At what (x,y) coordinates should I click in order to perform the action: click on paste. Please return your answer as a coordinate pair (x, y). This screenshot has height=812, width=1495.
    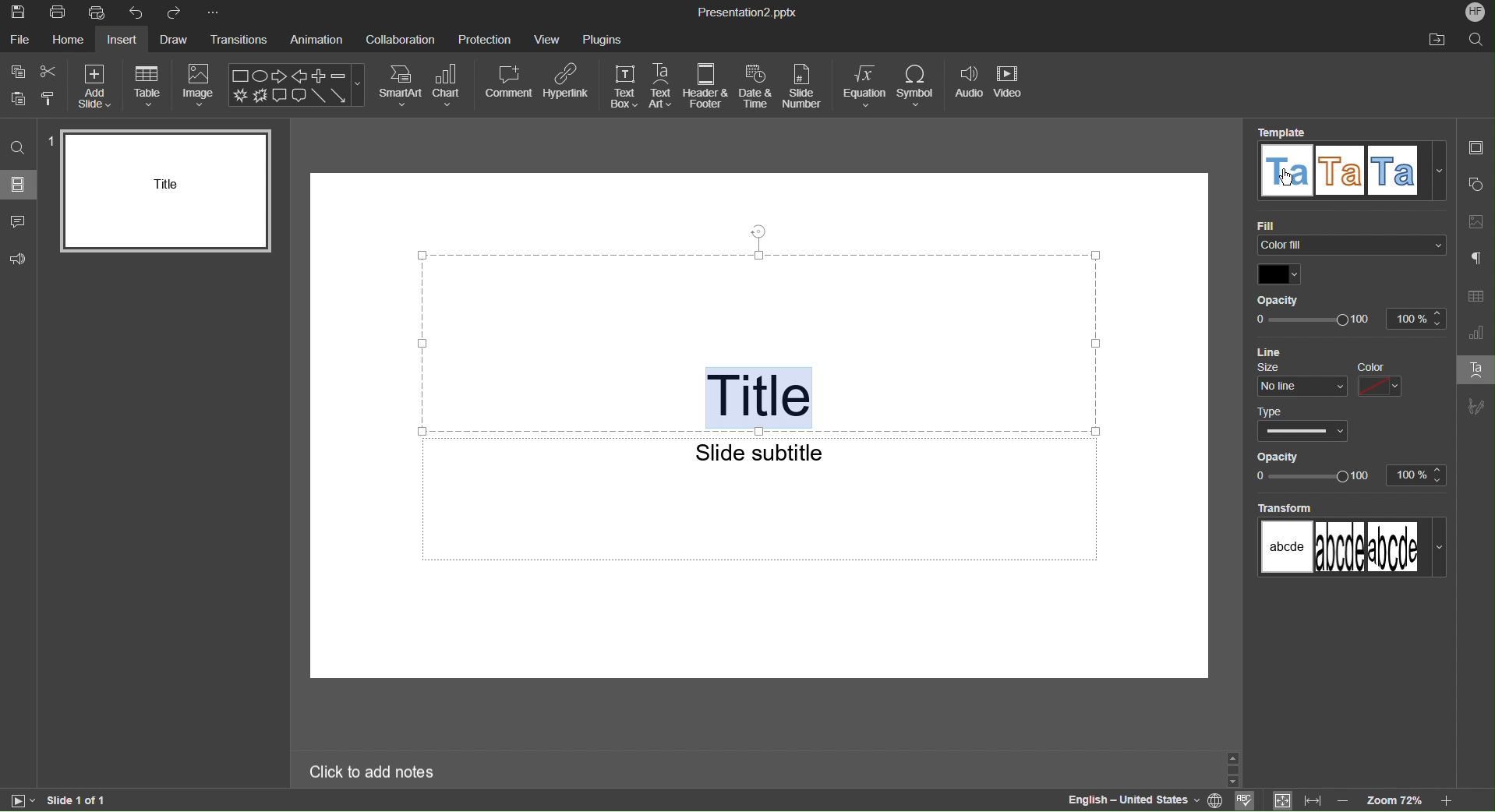
    Looking at the image, I should click on (17, 99).